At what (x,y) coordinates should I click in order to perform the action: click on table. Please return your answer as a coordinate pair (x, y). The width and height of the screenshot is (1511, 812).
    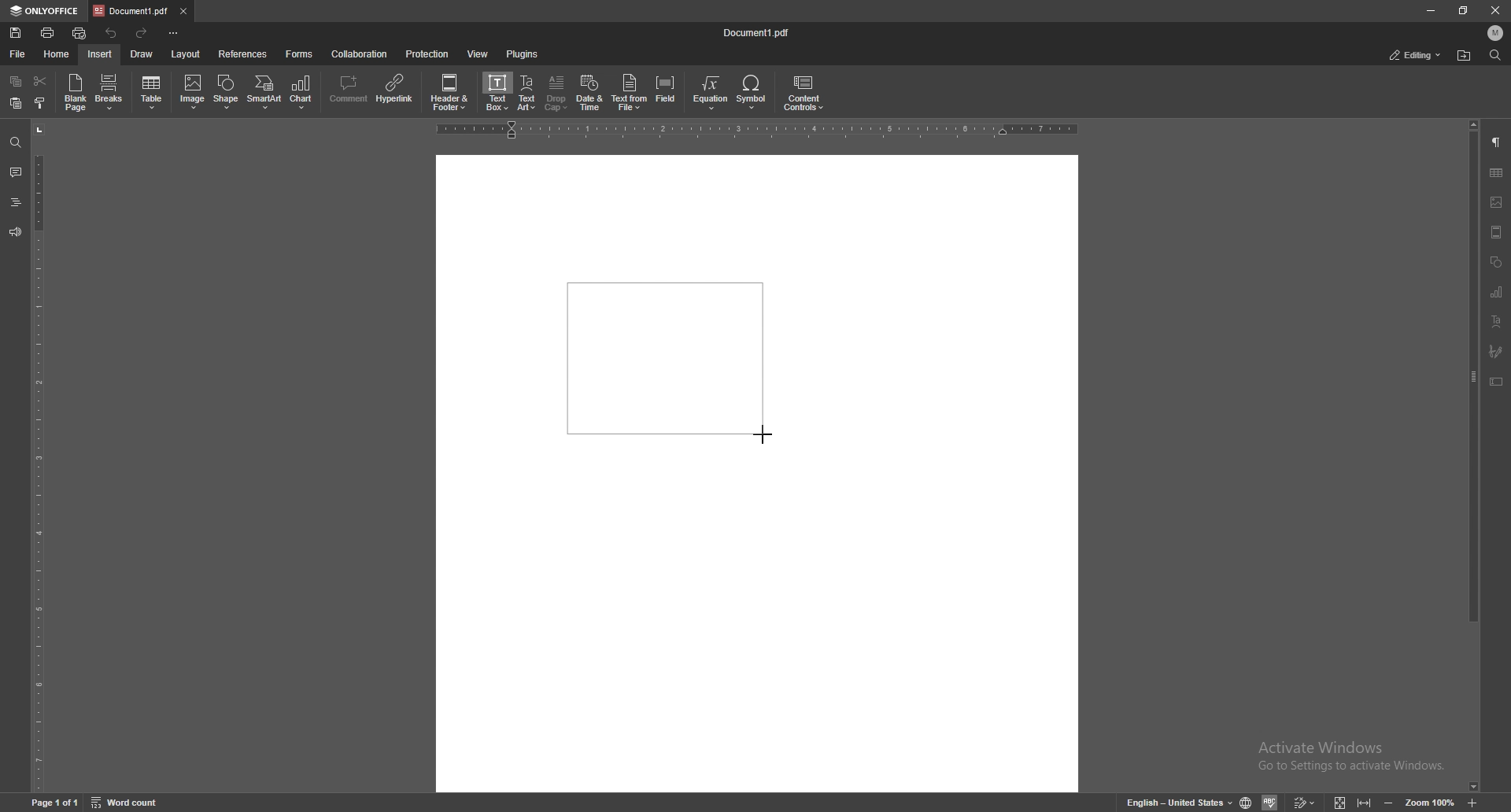
    Looking at the image, I should click on (1497, 173).